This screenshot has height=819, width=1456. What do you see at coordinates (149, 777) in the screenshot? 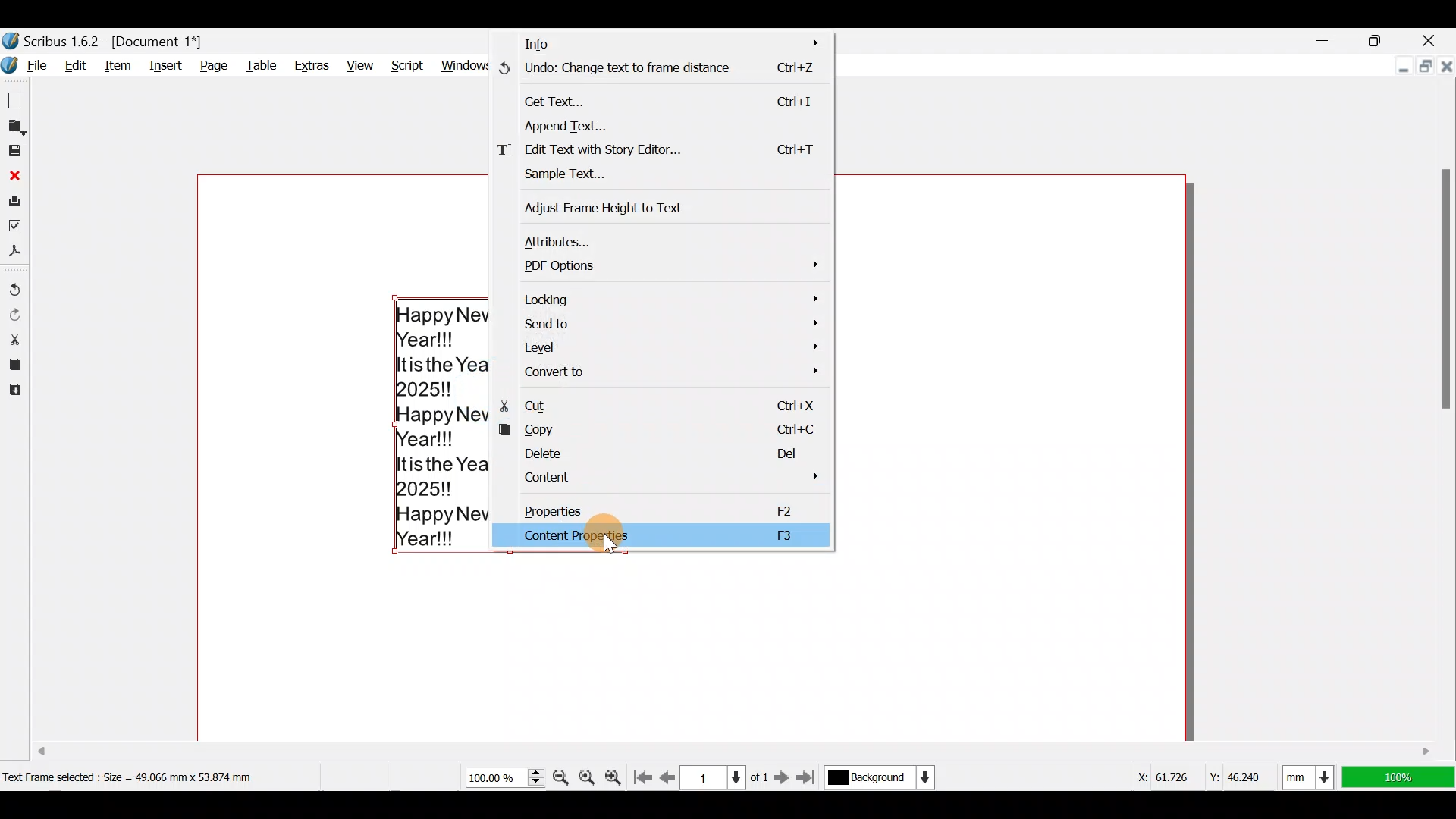
I see `Dimension of selected text frame` at bounding box center [149, 777].